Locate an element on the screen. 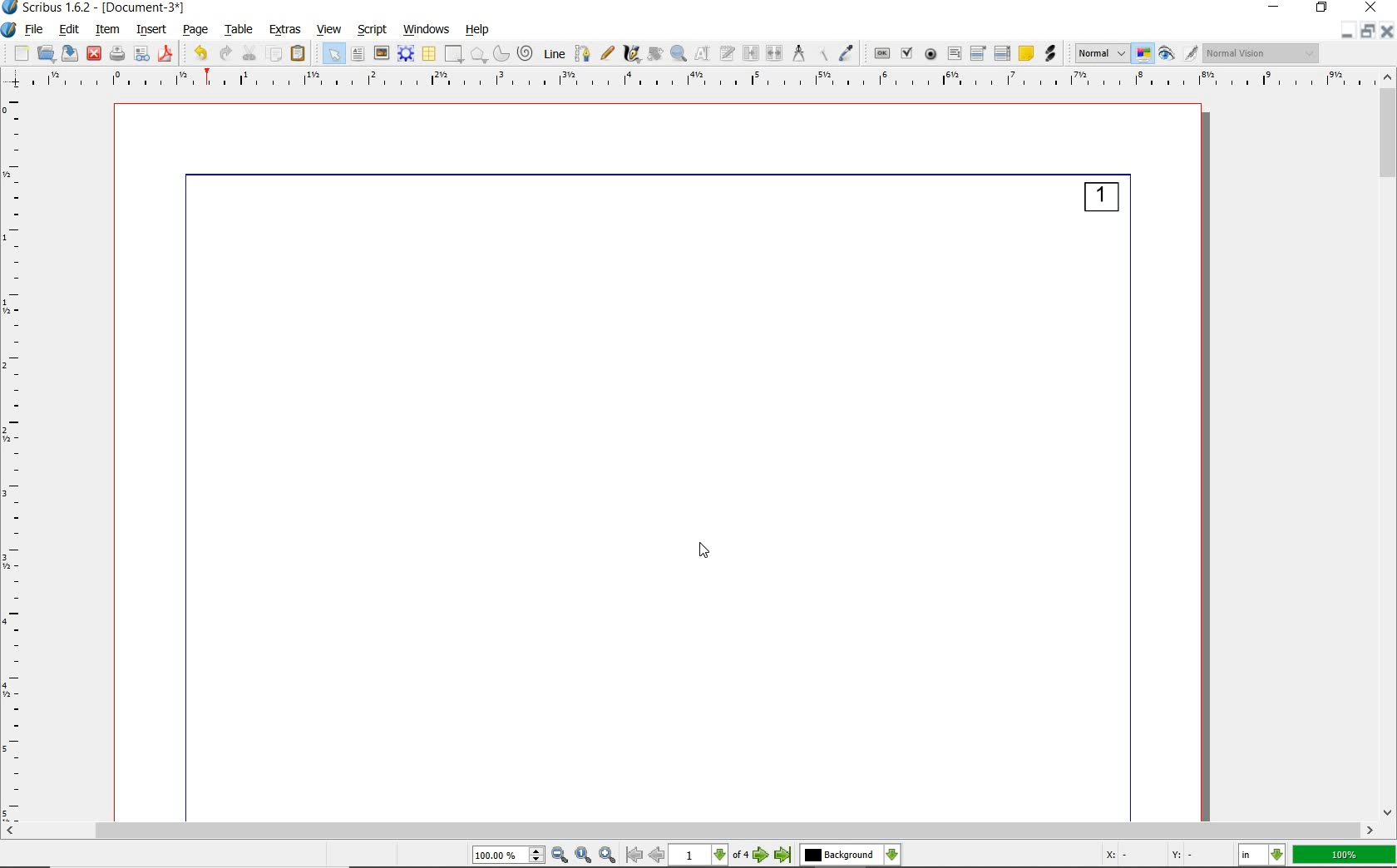 Image resolution: width=1397 pixels, height=868 pixels. line is located at coordinates (553, 53).